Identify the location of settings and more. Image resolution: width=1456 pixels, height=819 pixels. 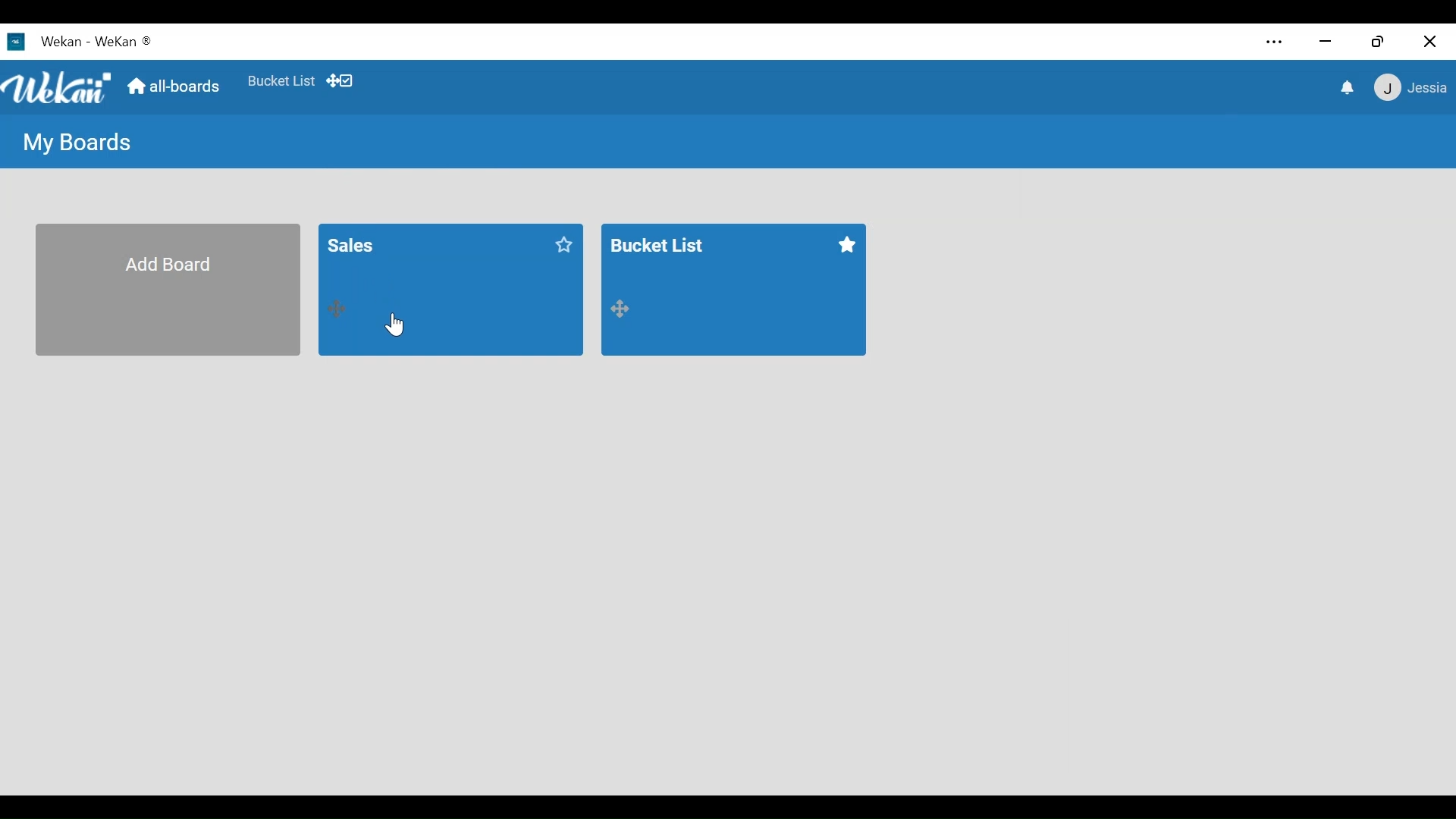
(1272, 42).